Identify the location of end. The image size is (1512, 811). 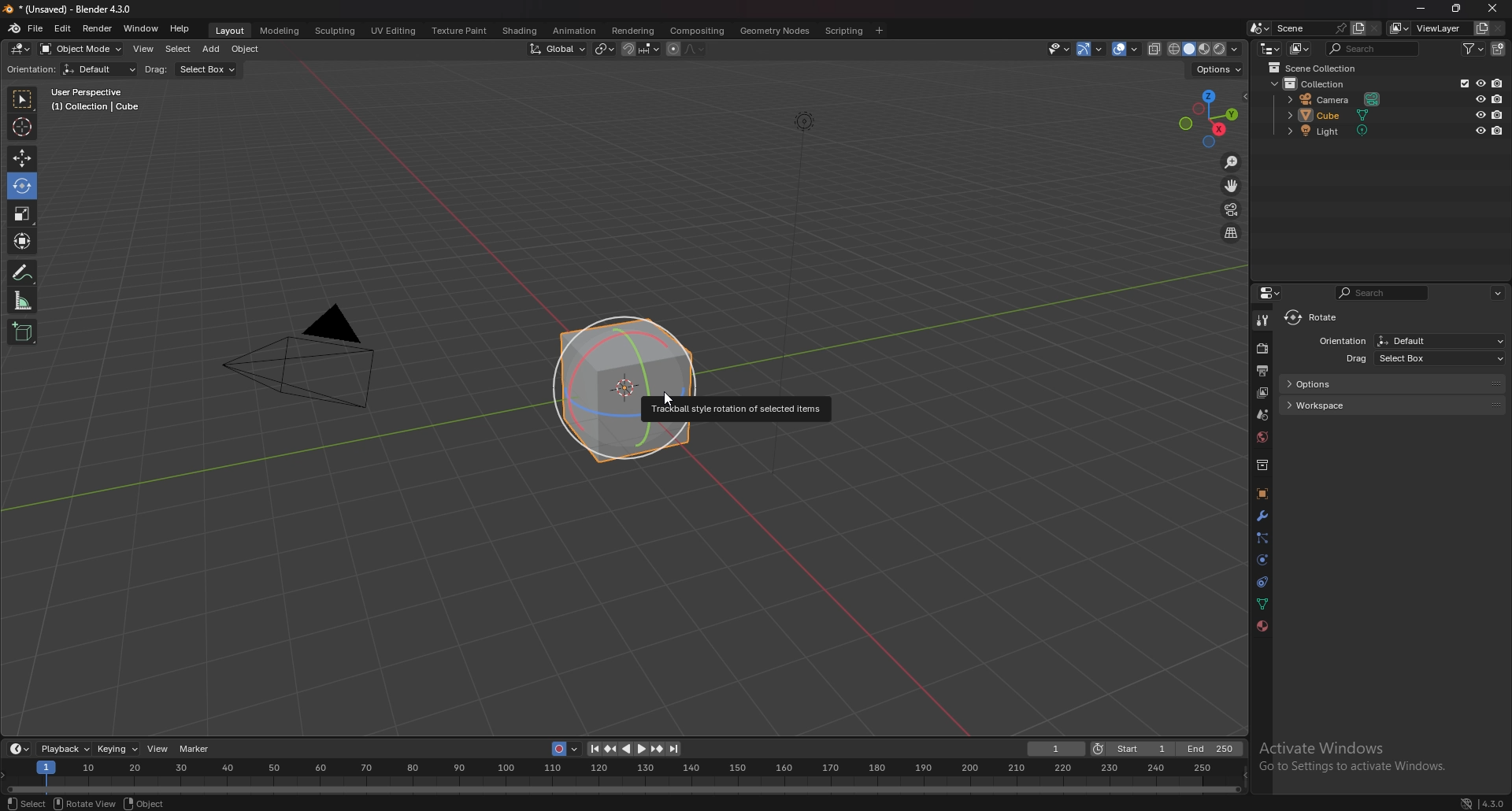
(1212, 750).